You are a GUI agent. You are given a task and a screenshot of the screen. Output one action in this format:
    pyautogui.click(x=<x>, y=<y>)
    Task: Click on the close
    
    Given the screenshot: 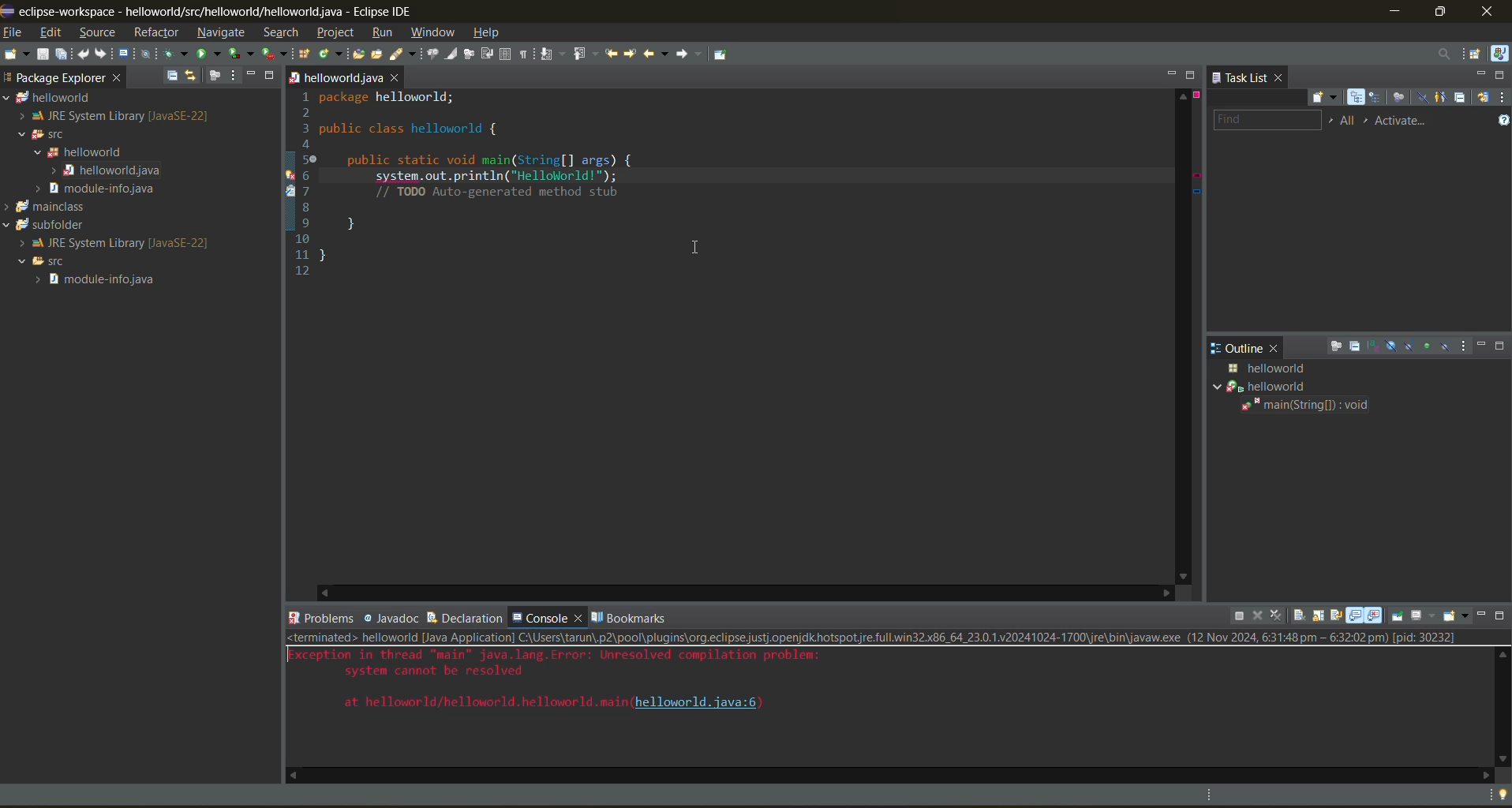 What is the action you would take?
    pyautogui.click(x=1282, y=78)
    